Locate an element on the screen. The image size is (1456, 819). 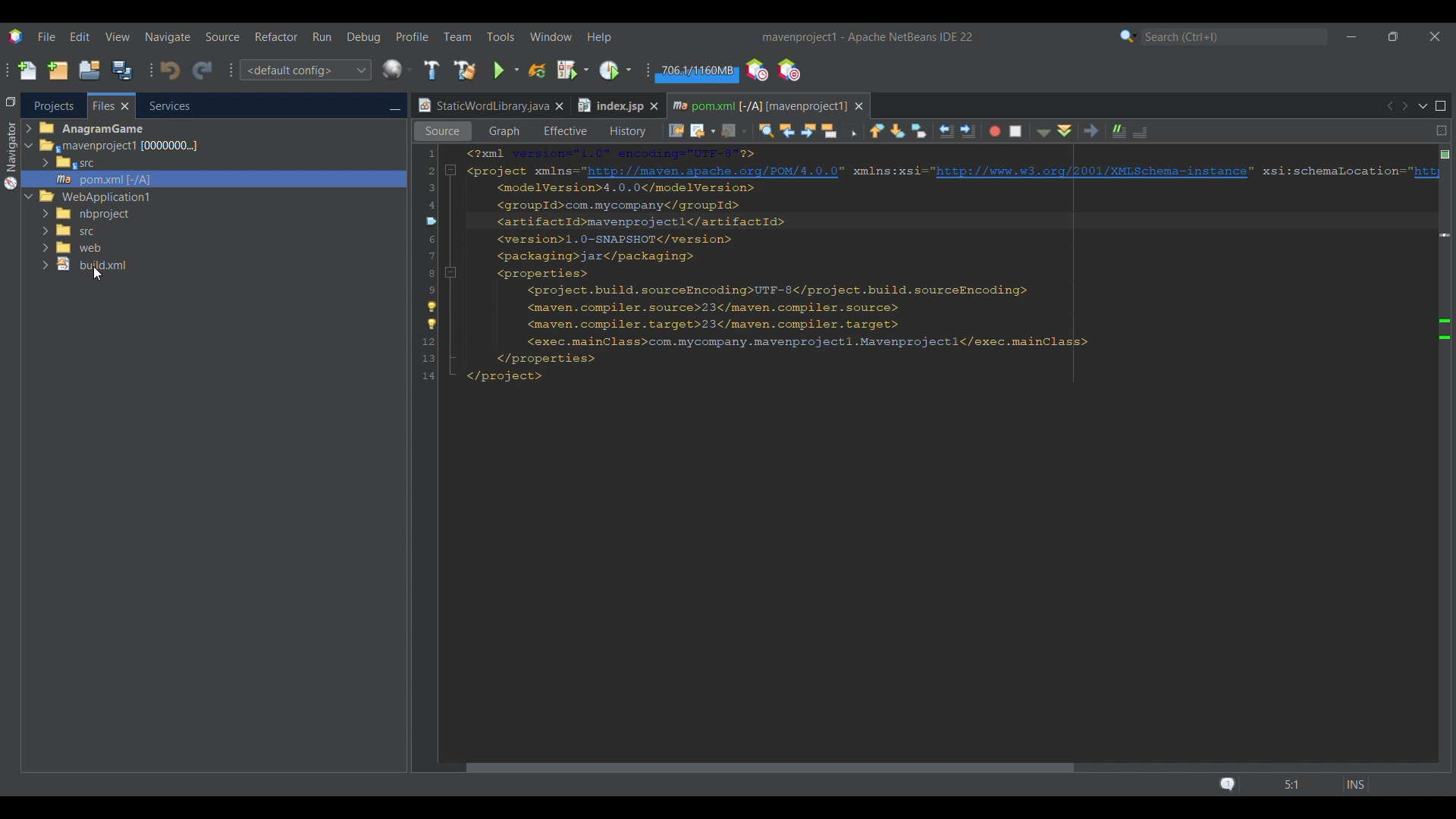
IDE's default browser is located at coordinates (397, 70).